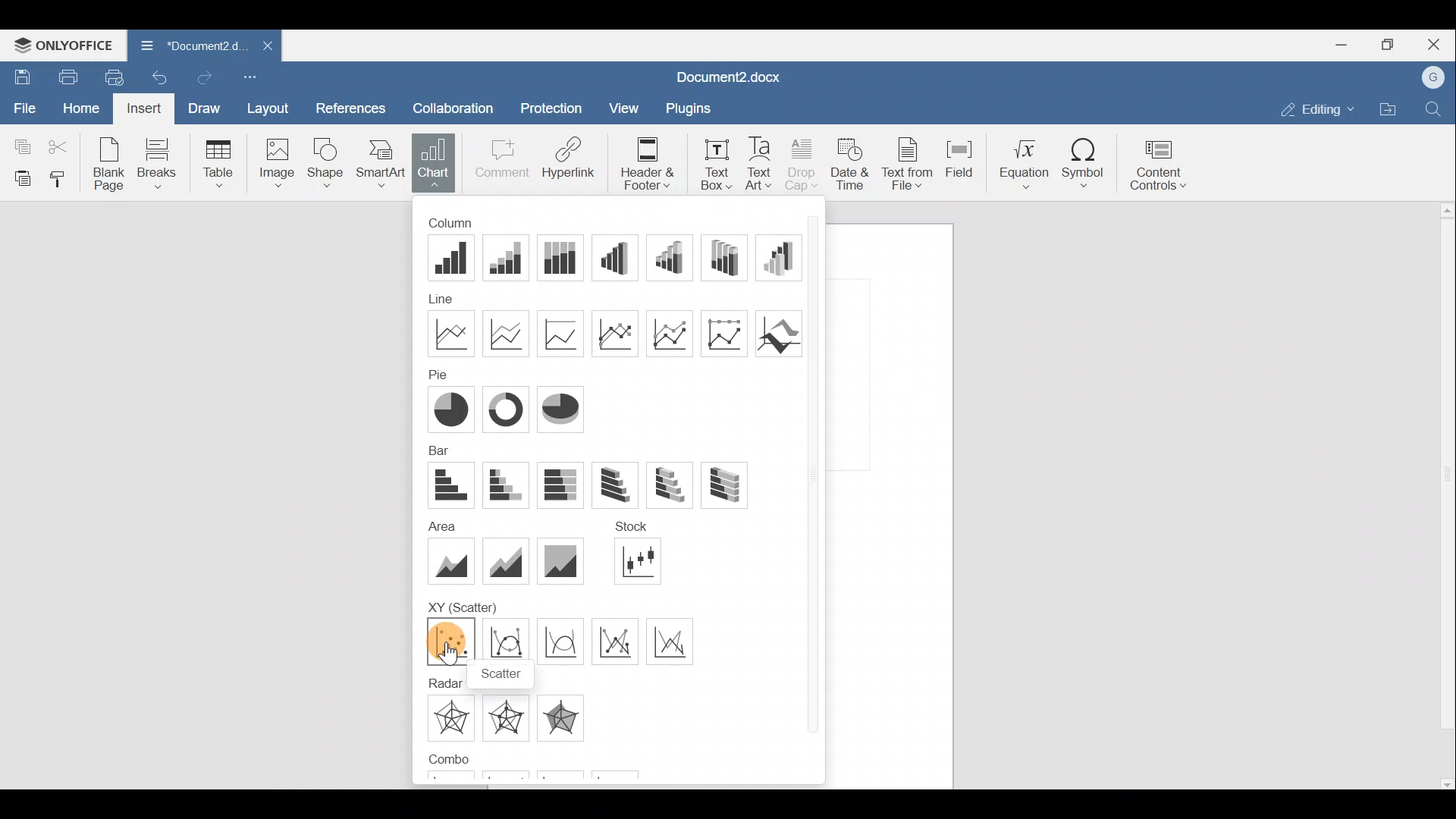  I want to click on Stacked bar, so click(509, 485).